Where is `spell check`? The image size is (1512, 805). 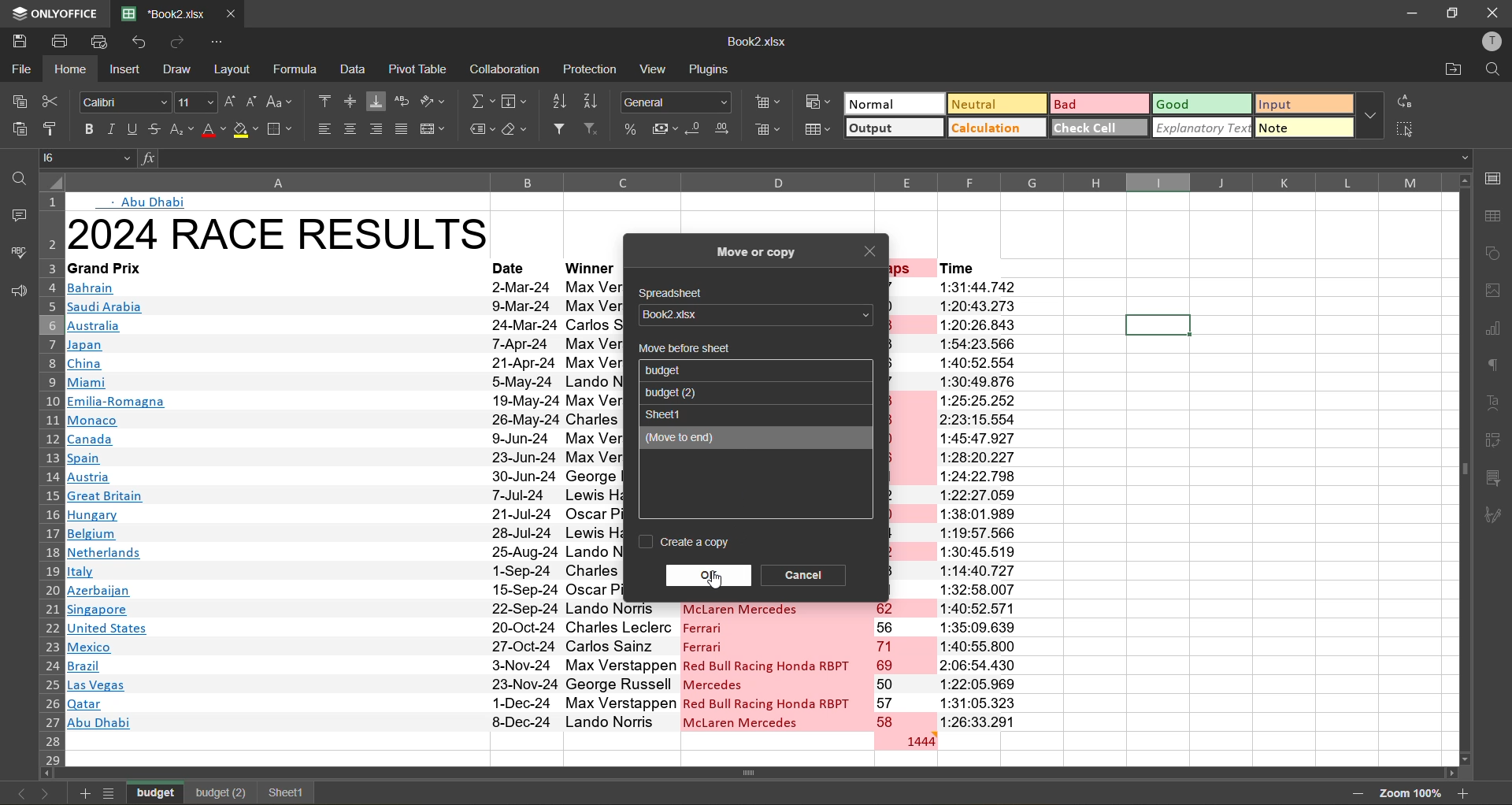
spell check is located at coordinates (17, 251).